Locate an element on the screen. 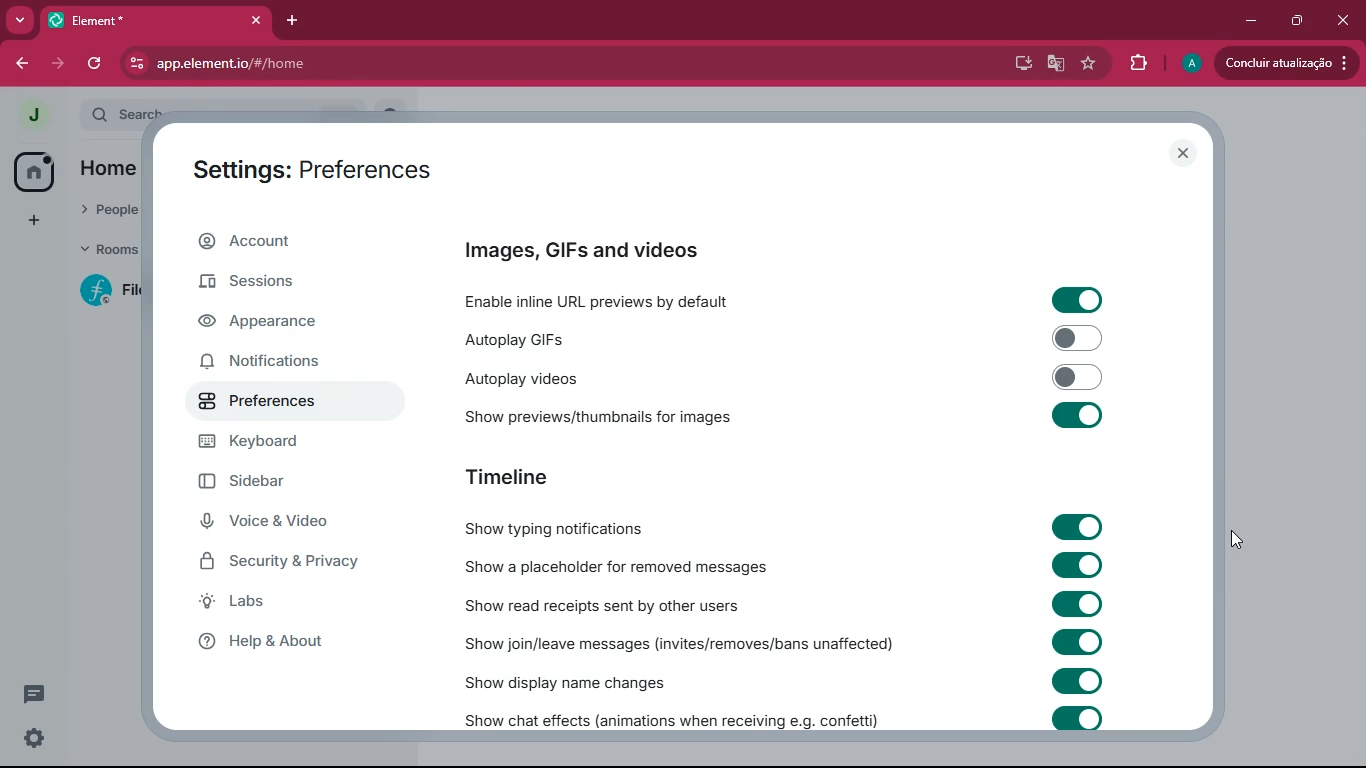  voice & video is located at coordinates (269, 520).